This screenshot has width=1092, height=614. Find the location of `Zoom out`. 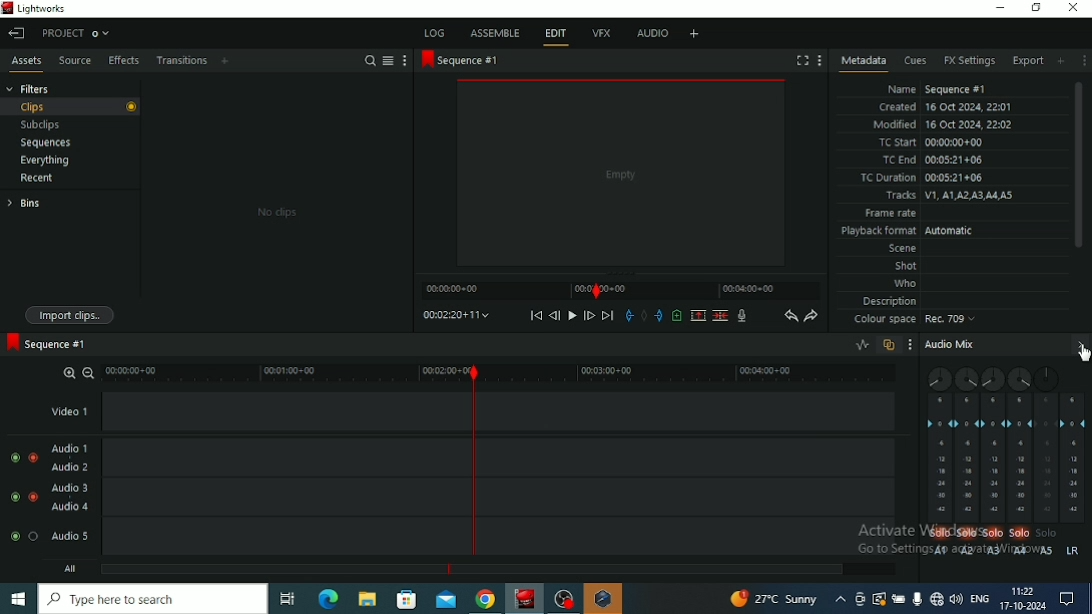

Zoom out is located at coordinates (88, 372).